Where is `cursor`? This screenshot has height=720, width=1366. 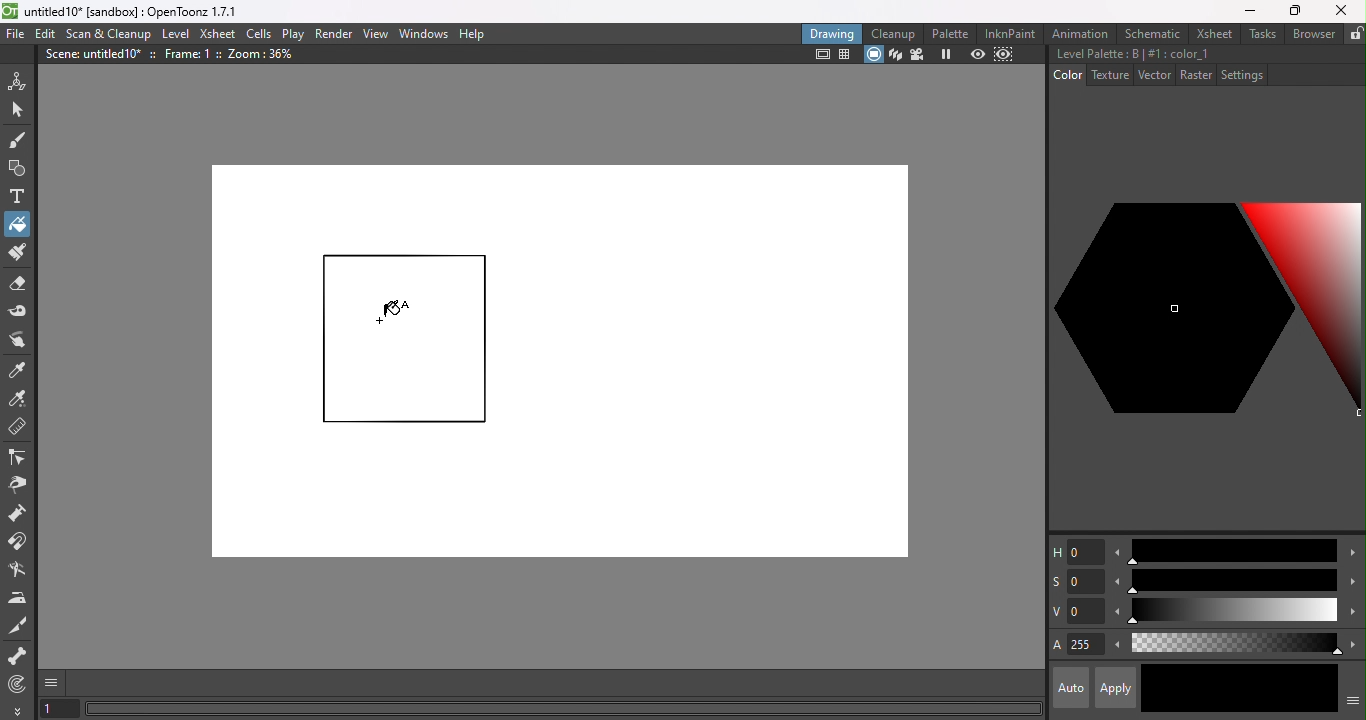 cursor is located at coordinates (392, 309).